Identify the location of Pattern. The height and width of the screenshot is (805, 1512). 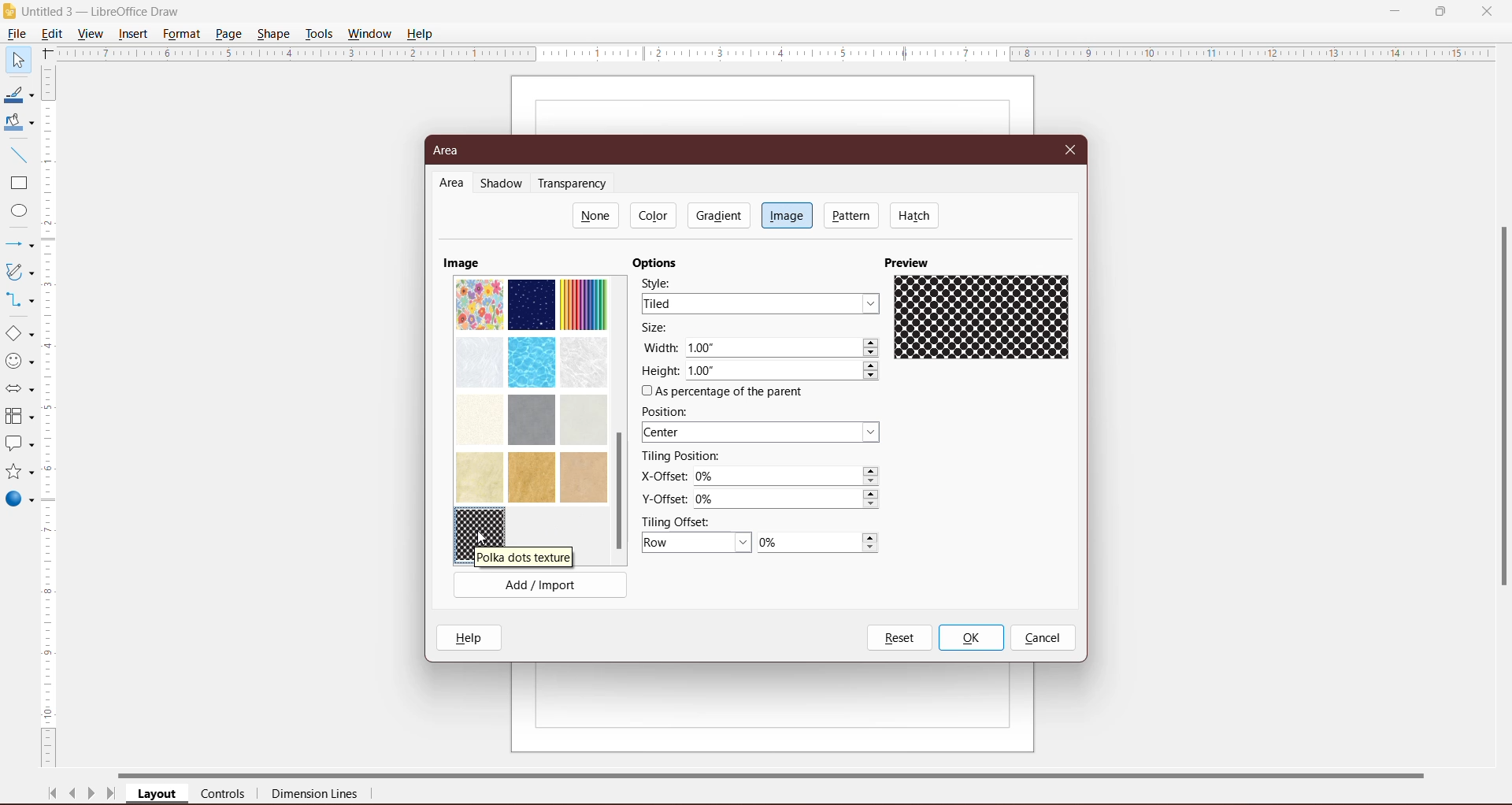
(852, 215).